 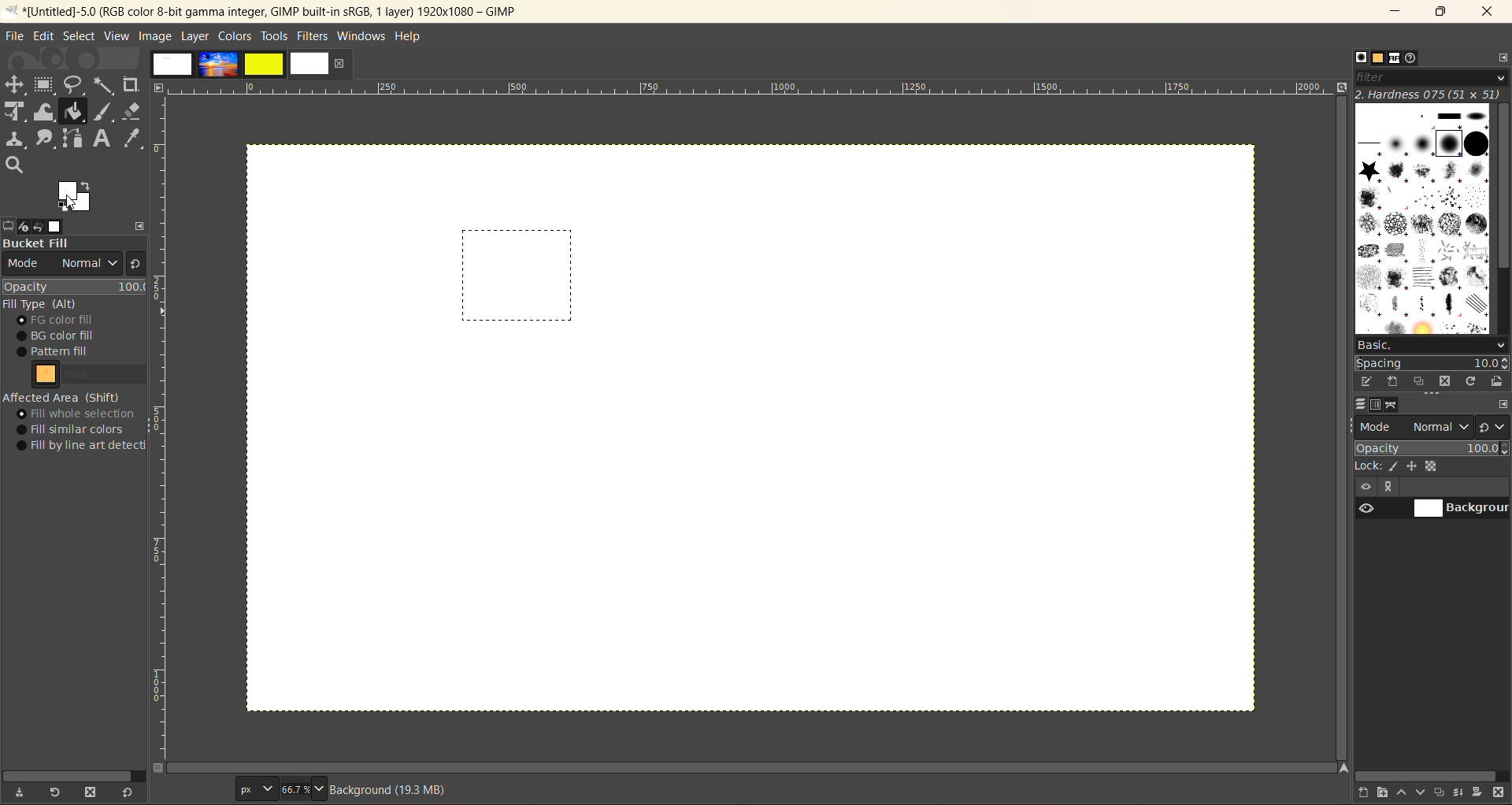 What do you see at coordinates (23, 791) in the screenshot?
I see `save tool preset` at bounding box center [23, 791].